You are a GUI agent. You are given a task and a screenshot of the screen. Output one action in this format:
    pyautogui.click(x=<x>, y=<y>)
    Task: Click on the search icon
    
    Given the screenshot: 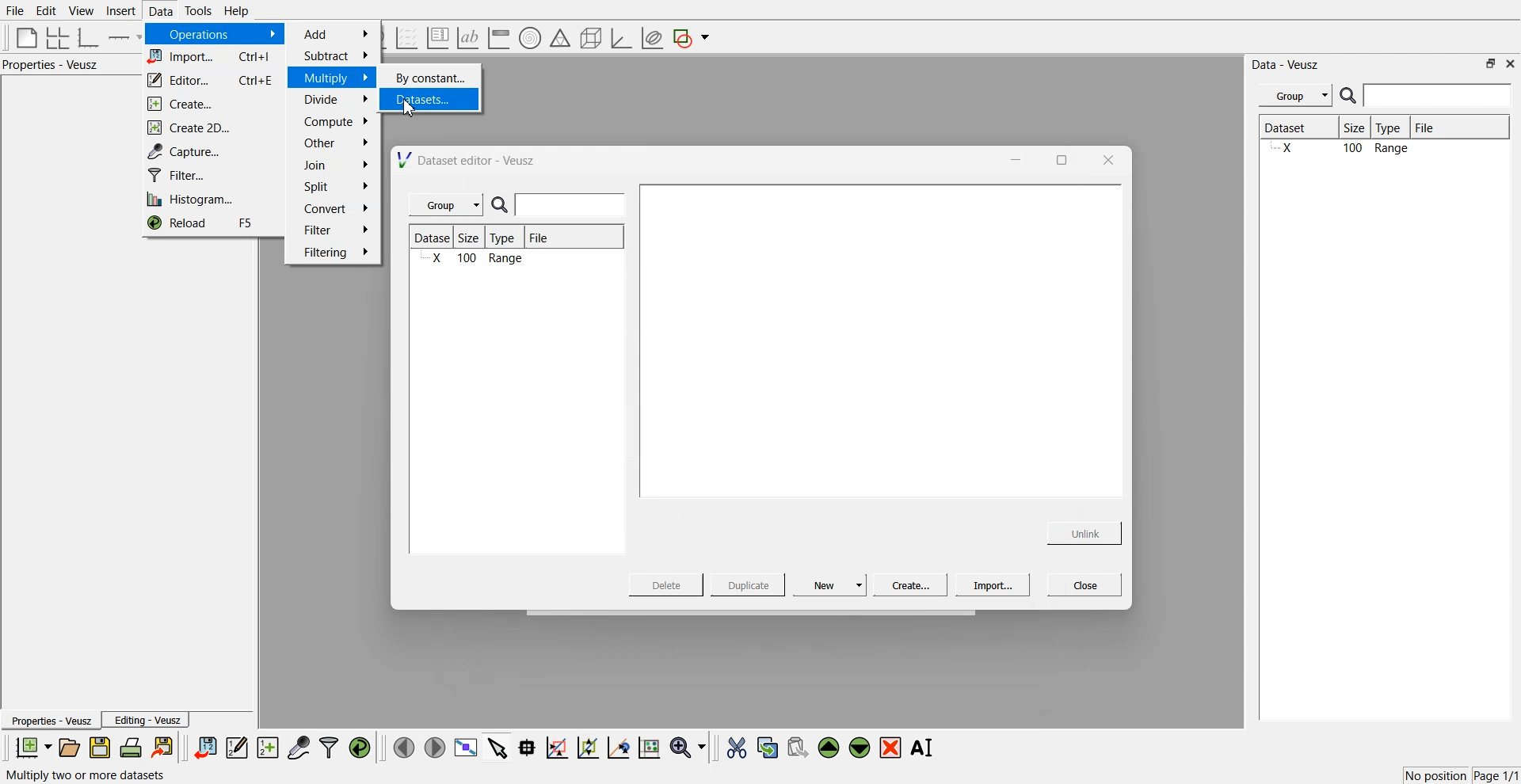 What is the action you would take?
    pyautogui.click(x=503, y=206)
    